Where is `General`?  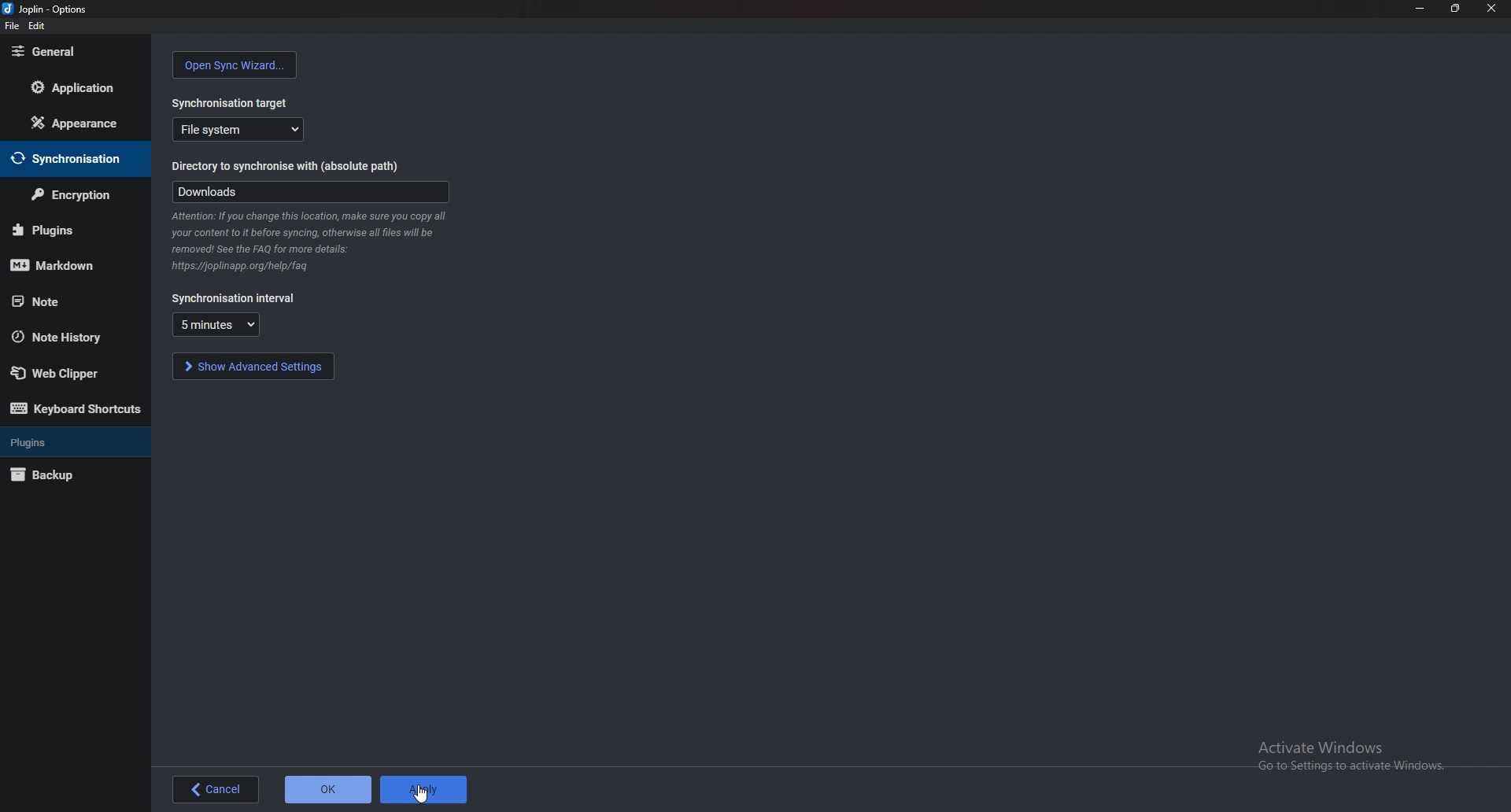 General is located at coordinates (73, 50).